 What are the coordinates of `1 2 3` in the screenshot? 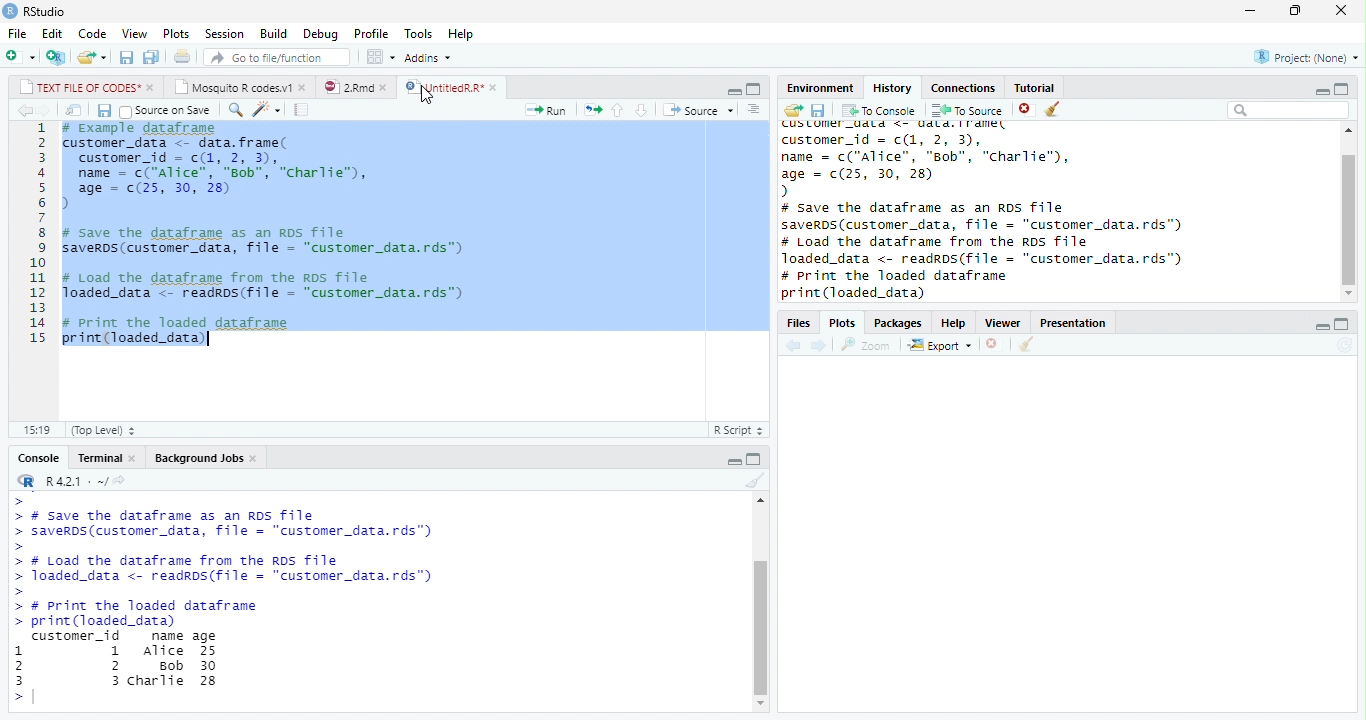 It's located at (112, 667).